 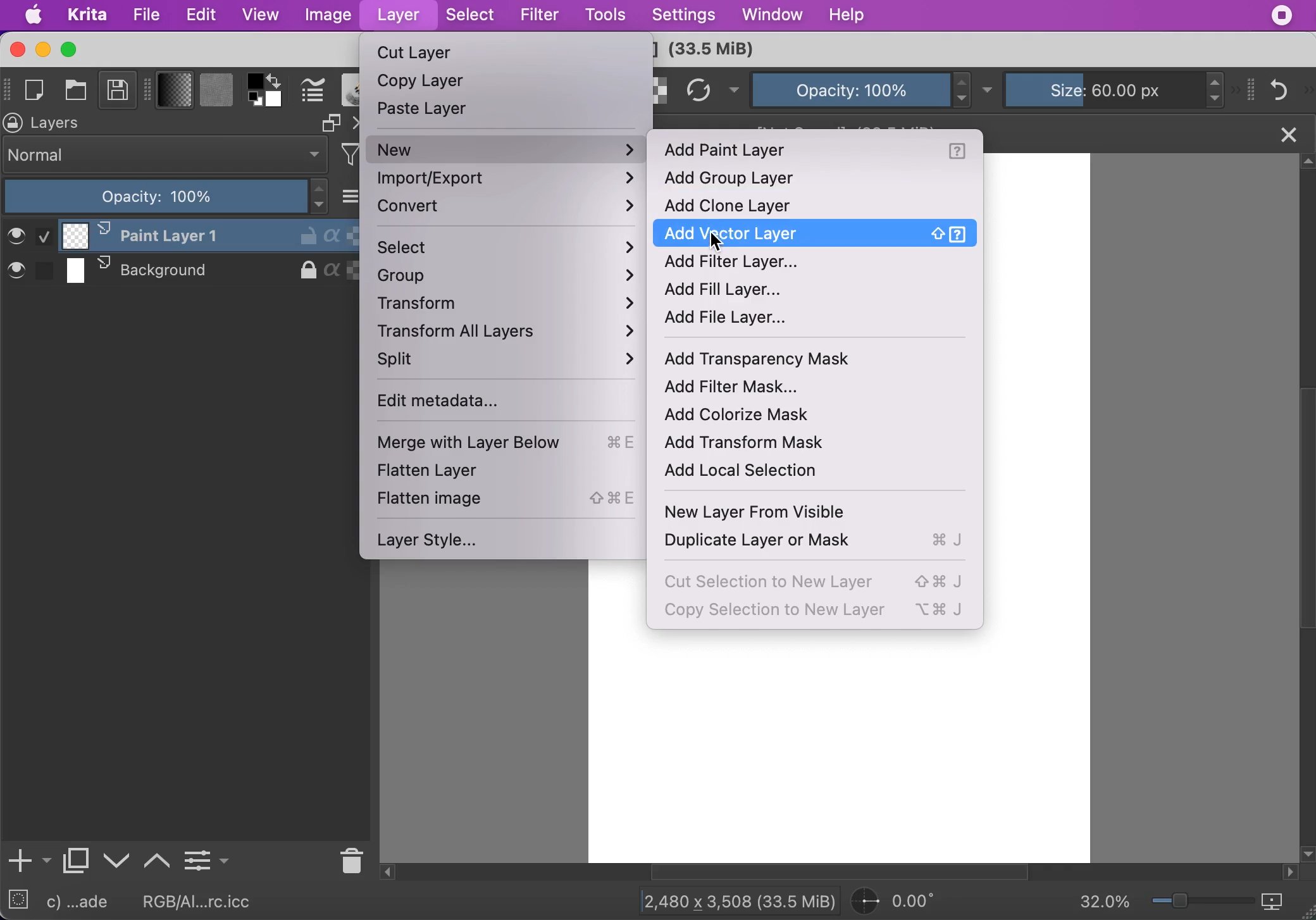 I want to click on set foreground and background color, so click(x=256, y=101).